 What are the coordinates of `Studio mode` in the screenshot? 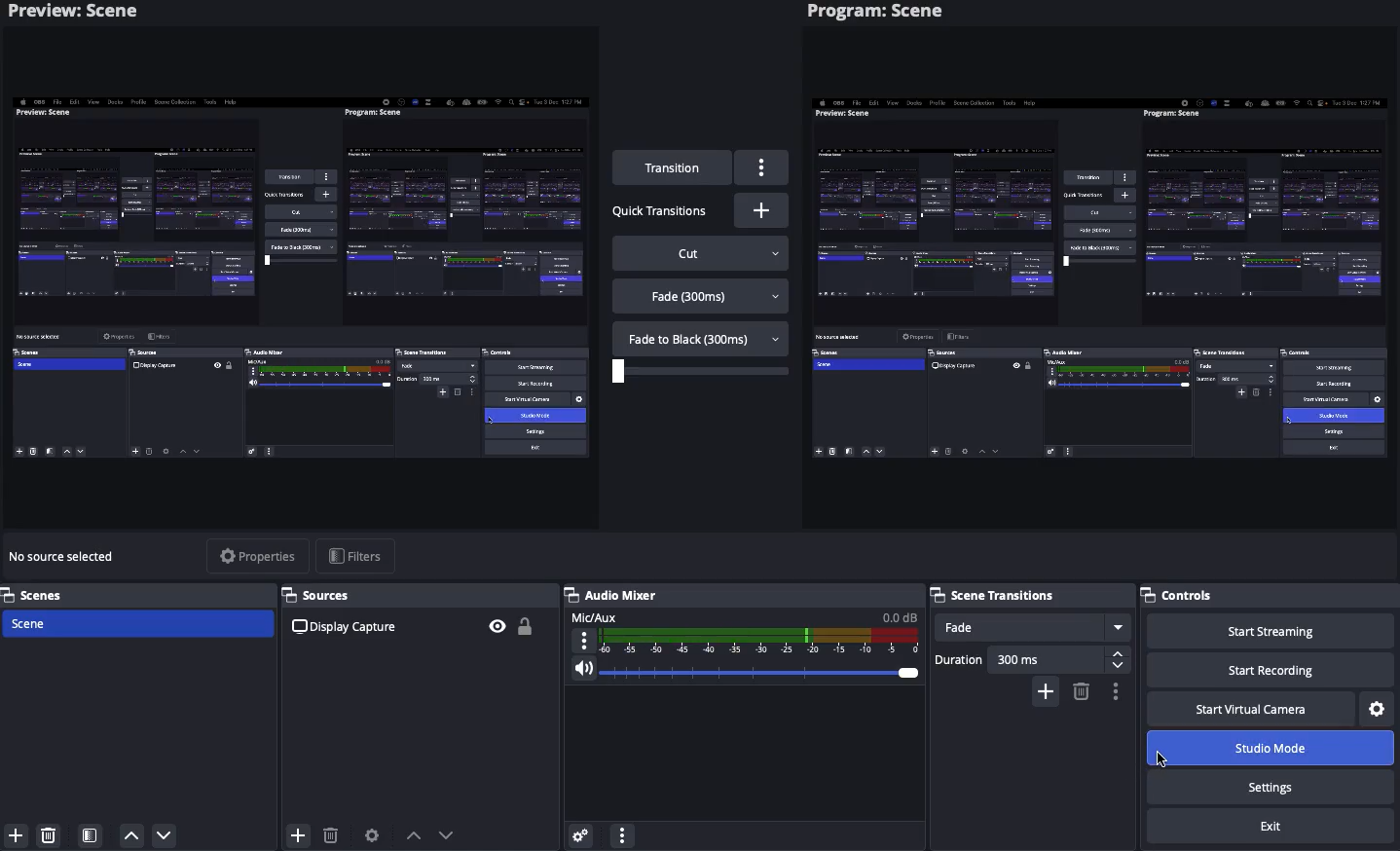 It's located at (1267, 749).